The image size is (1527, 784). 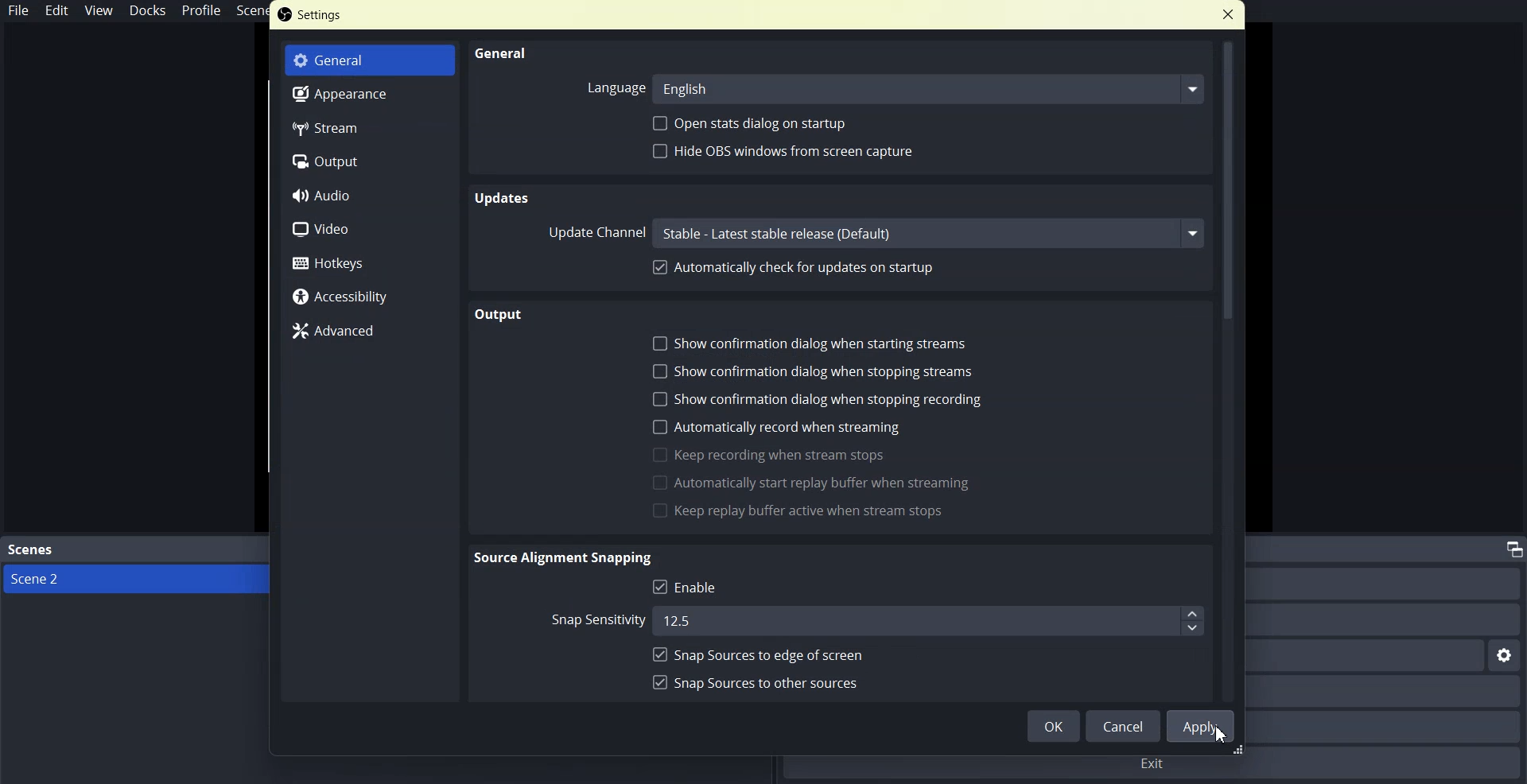 What do you see at coordinates (1224, 735) in the screenshot?
I see `Cursor` at bounding box center [1224, 735].